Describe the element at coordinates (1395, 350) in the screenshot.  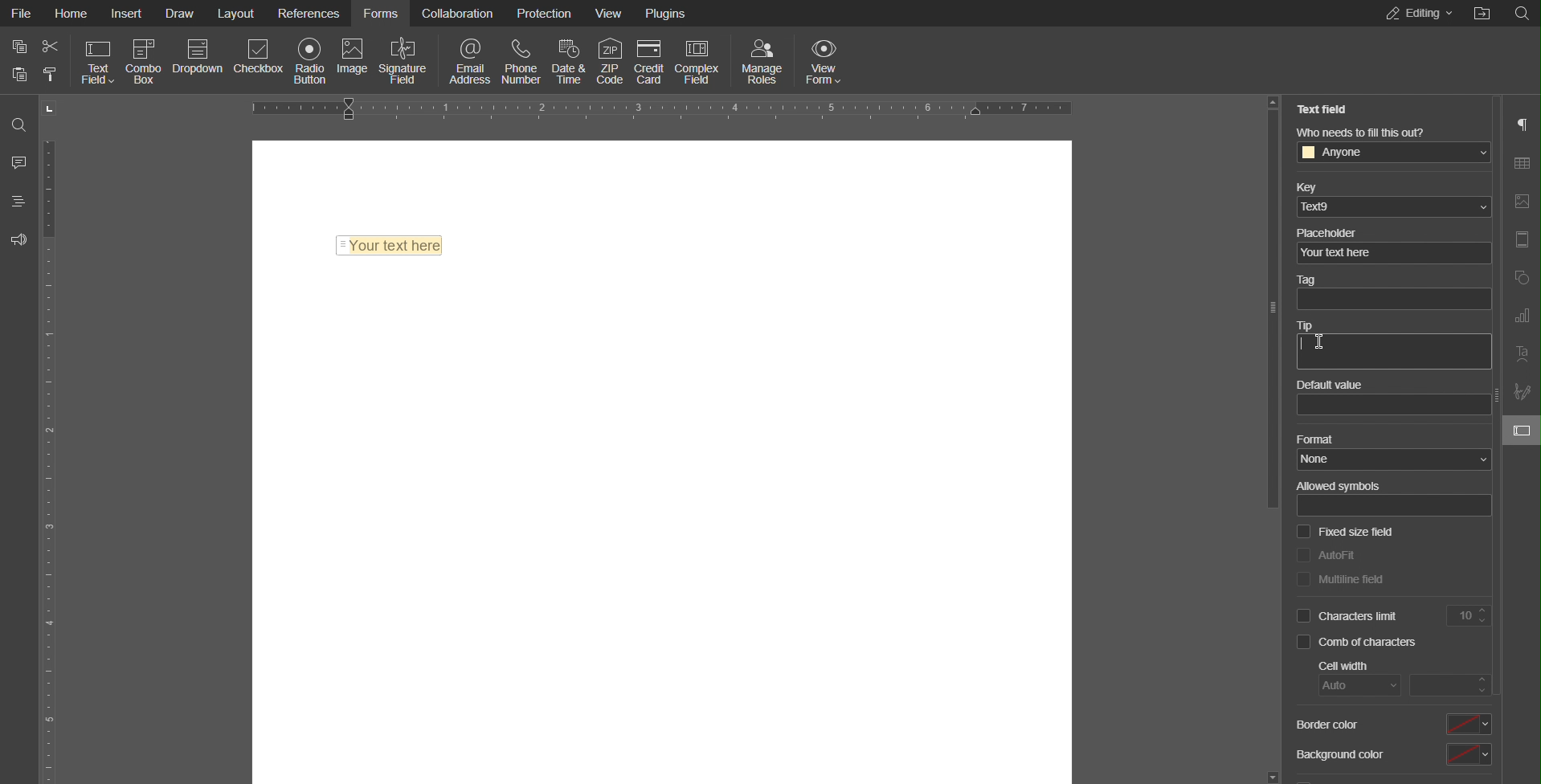
I see `textbox` at that location.